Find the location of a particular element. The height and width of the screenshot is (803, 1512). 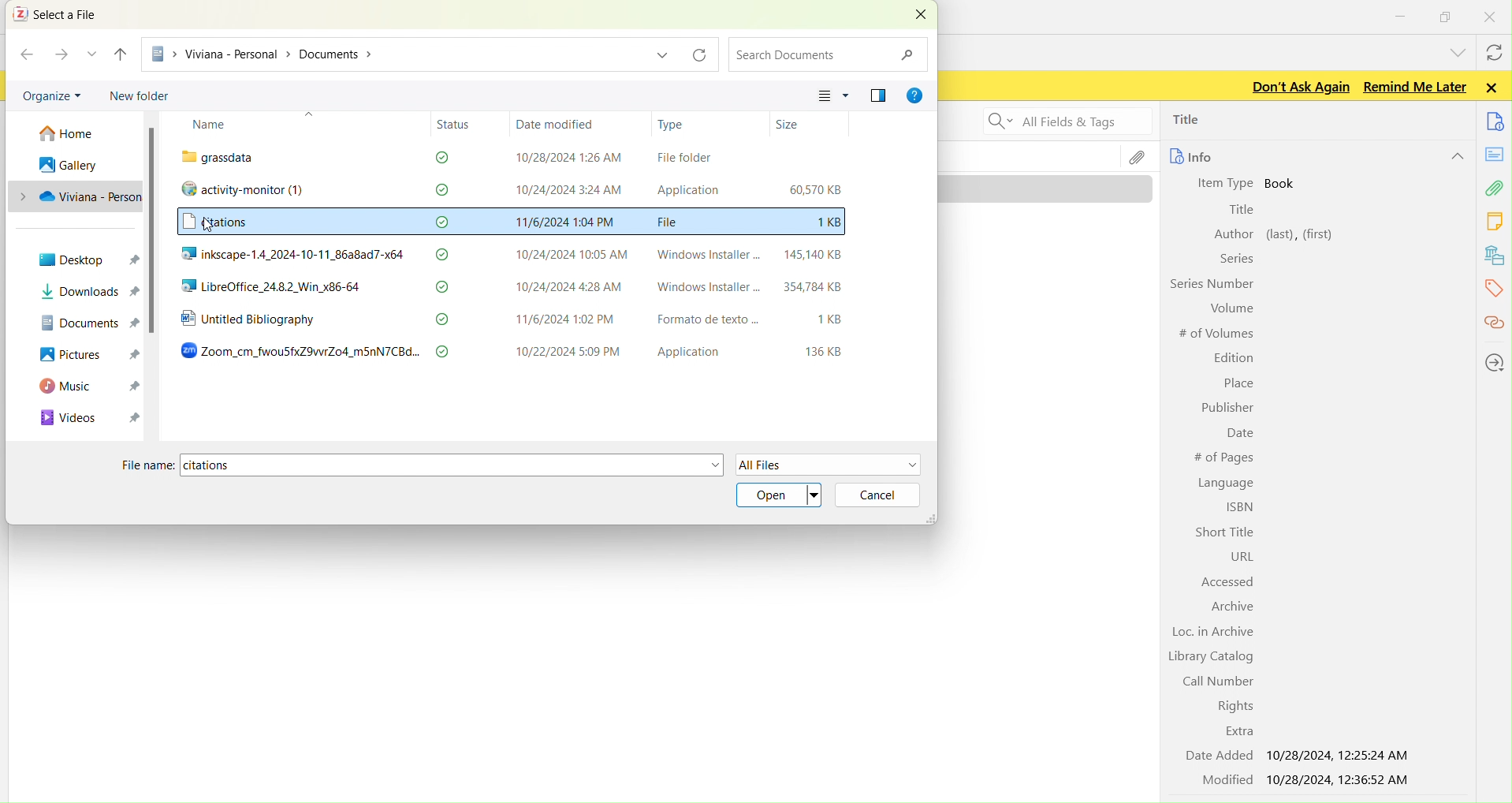

check is located at coordinates (447, 287).